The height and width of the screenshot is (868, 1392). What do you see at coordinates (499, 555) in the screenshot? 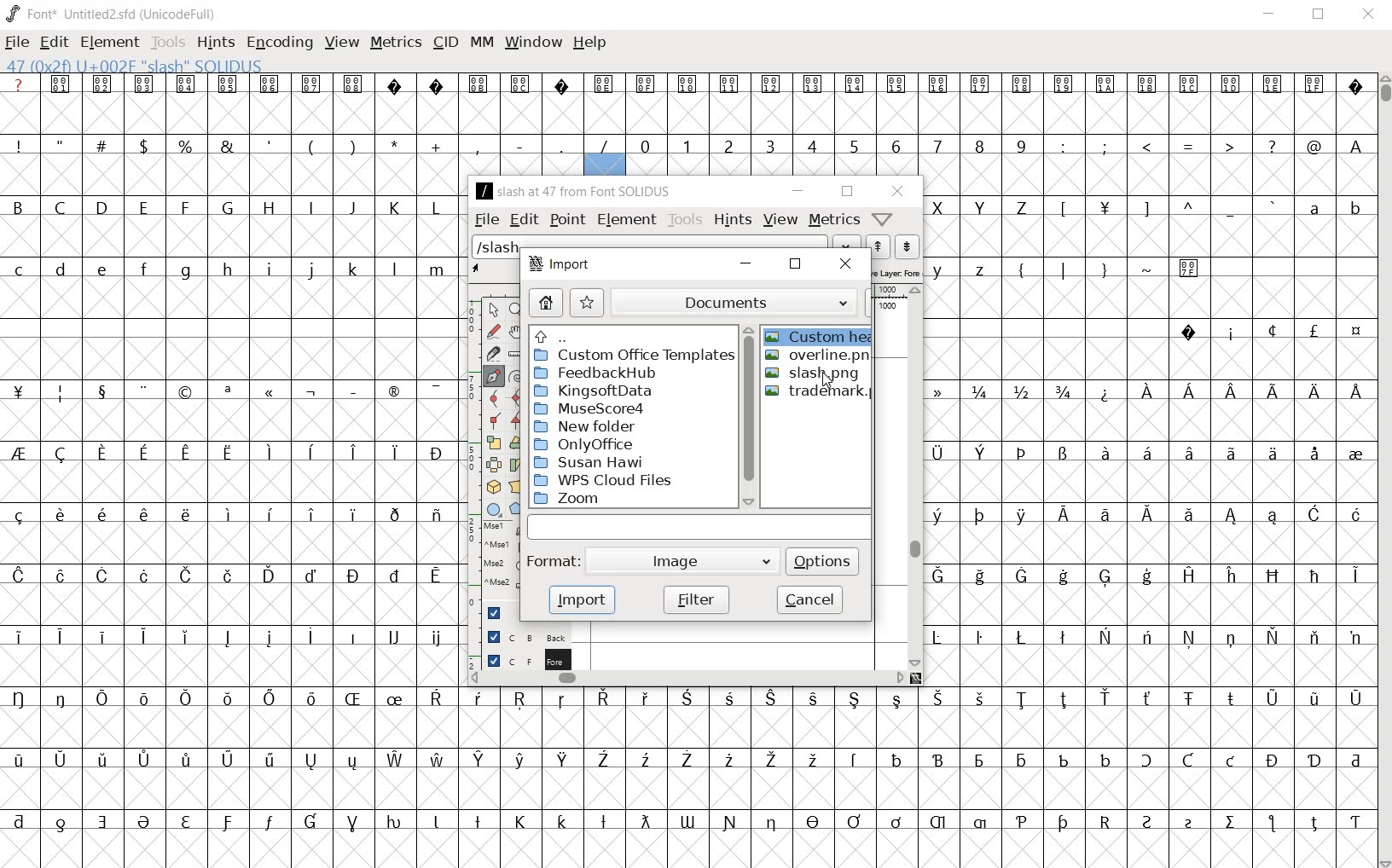
I see `mse1 mse1 mse2 mse2` at bounding box center [499, 555].